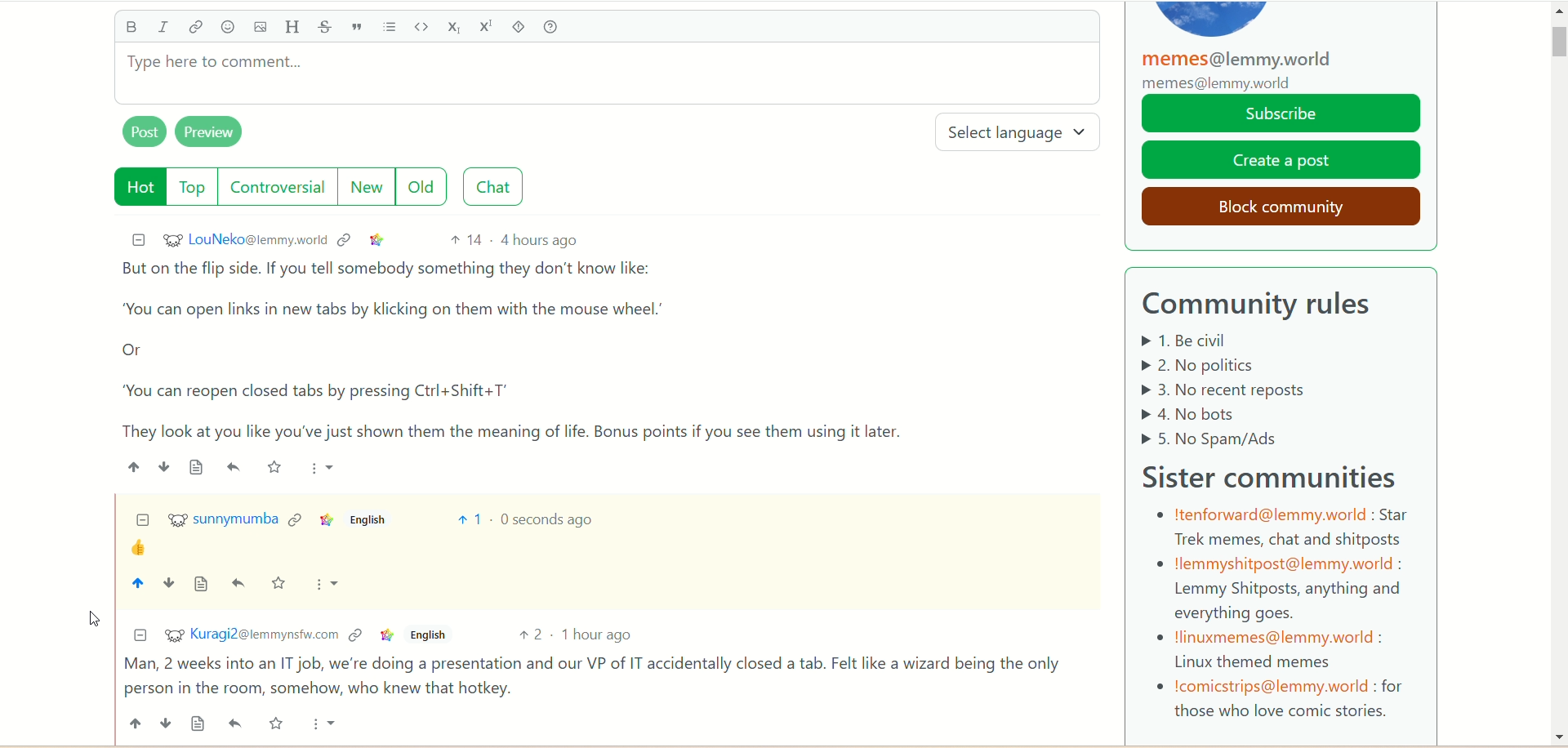  Describe the element at coordinates (198, 722) in the screenshot. I see `source` at that location.